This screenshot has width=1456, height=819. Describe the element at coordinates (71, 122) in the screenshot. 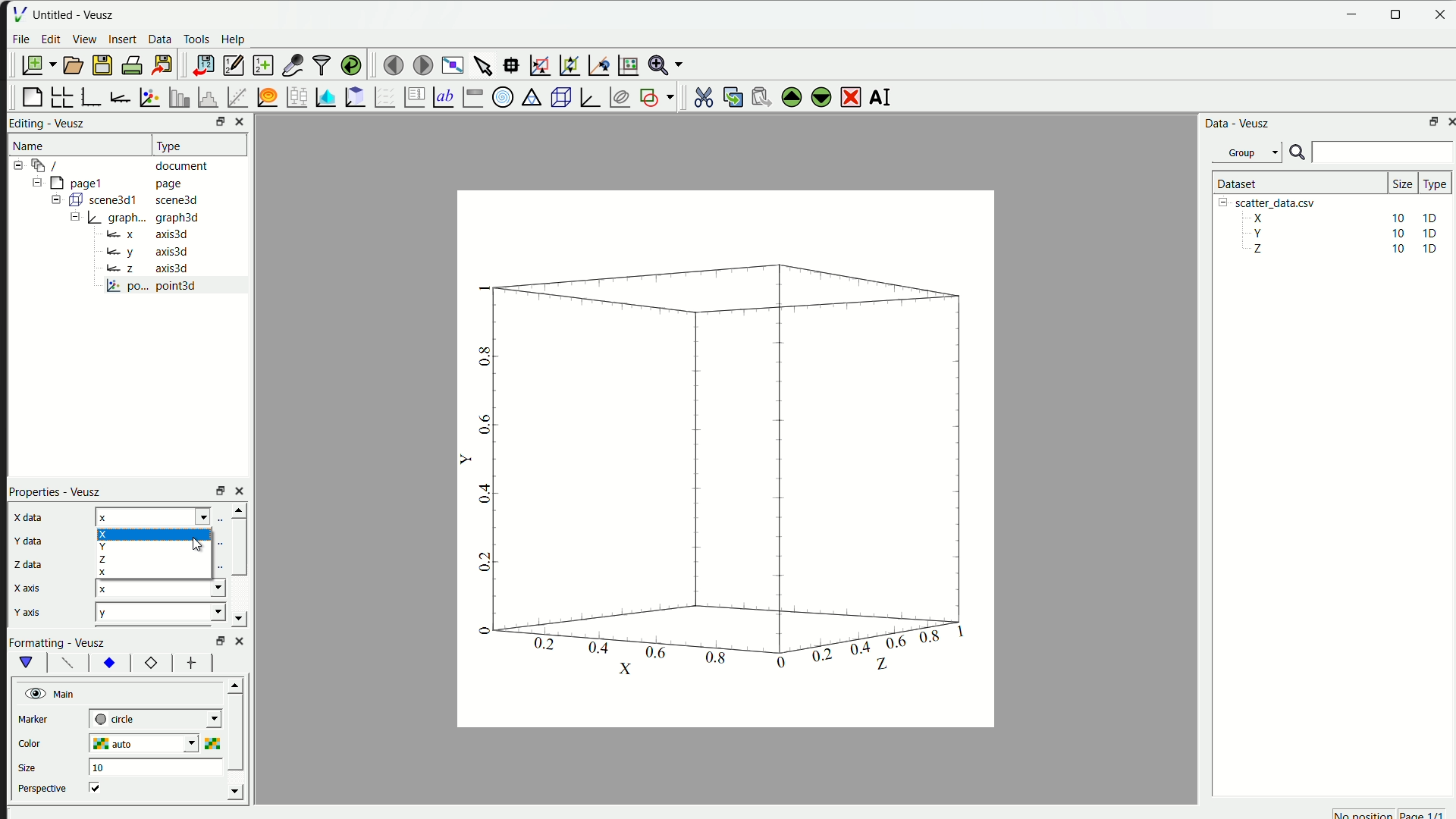

I see `Veusz` at that location.